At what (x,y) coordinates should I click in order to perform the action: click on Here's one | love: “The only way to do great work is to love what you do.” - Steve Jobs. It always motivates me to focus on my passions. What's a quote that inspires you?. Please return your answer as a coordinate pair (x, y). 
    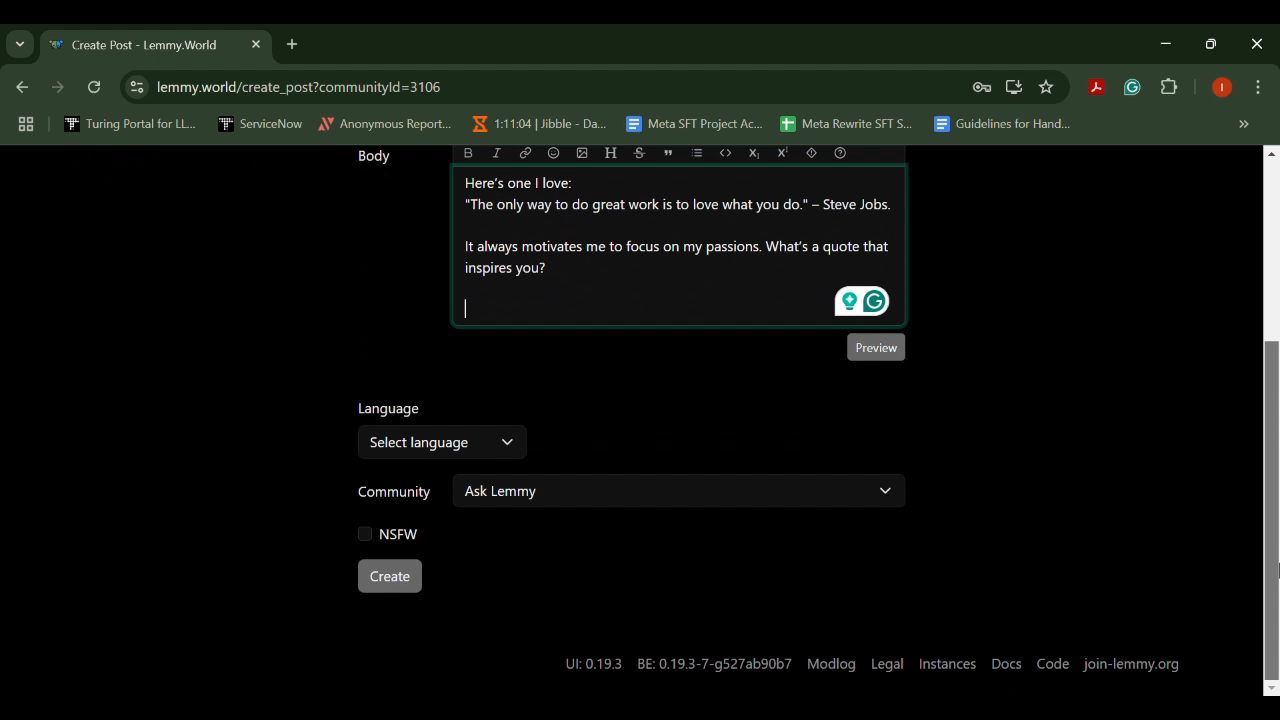
    Looking at the image, I should click on (682, 247).